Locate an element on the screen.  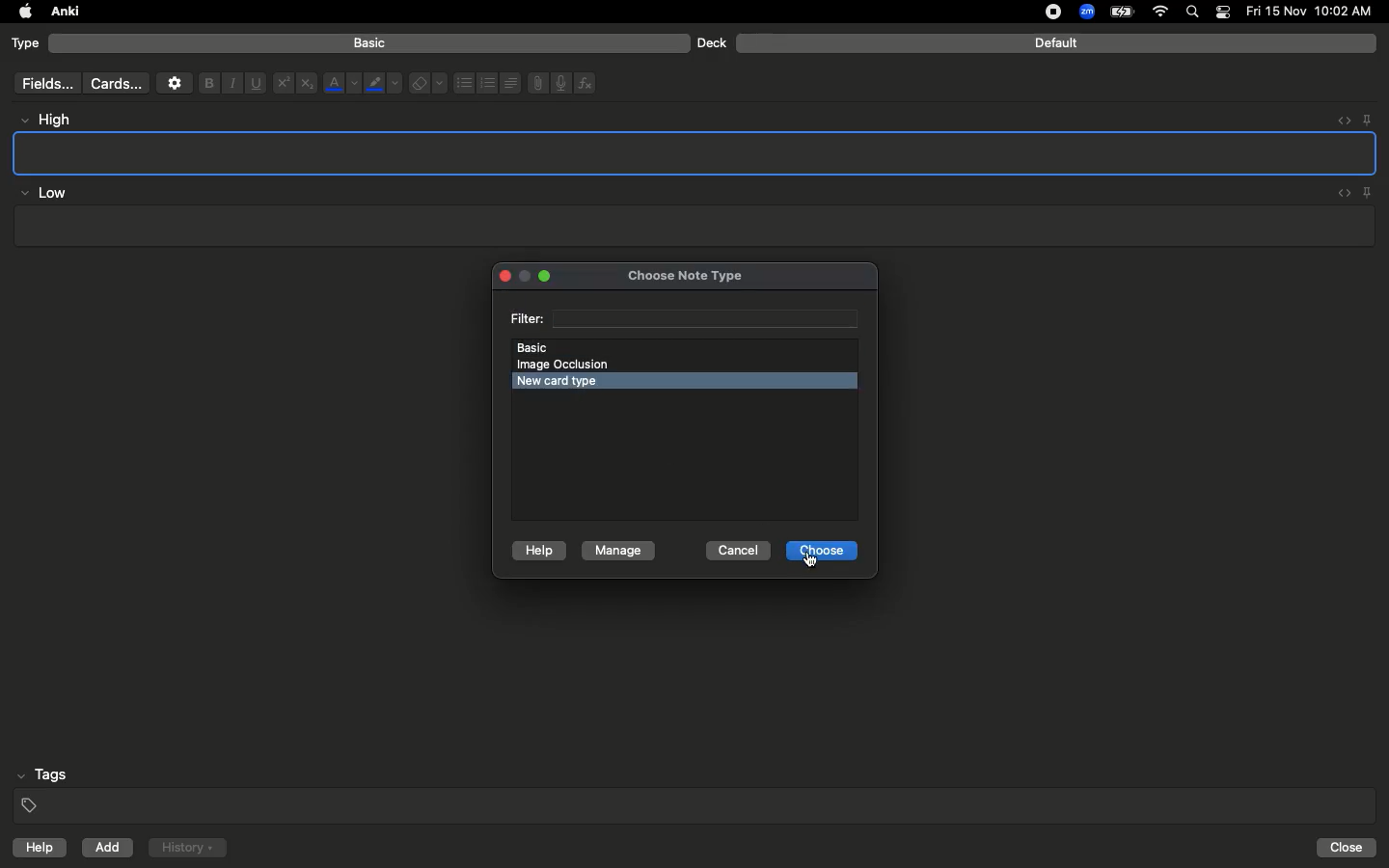
Help is located at coordinates (536, 552).